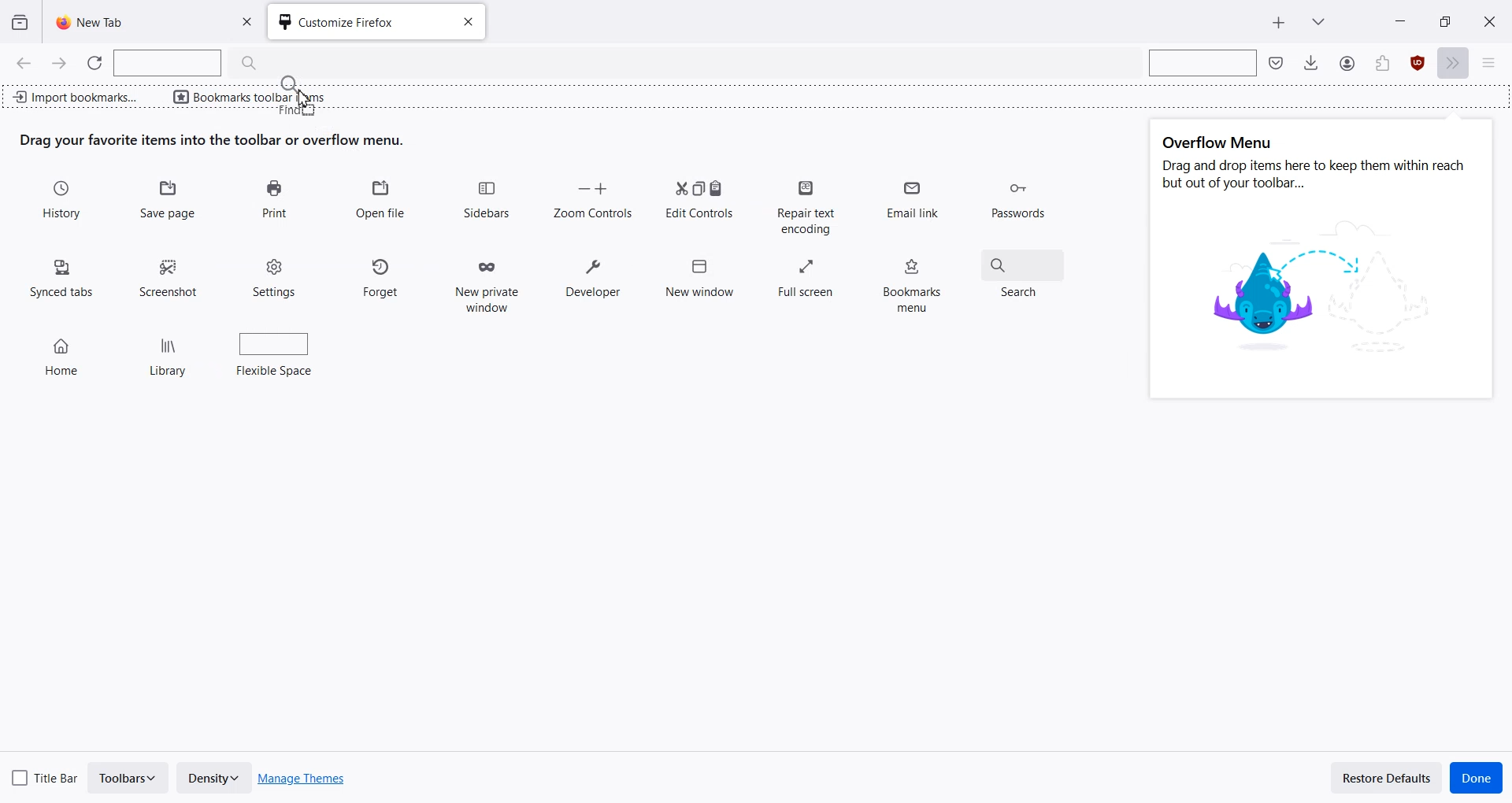 This screenshot has height=803, width=1512. Describe the element at coordinates (1387, 777) in the screenshot. I see `Restore Defaults` at that location.